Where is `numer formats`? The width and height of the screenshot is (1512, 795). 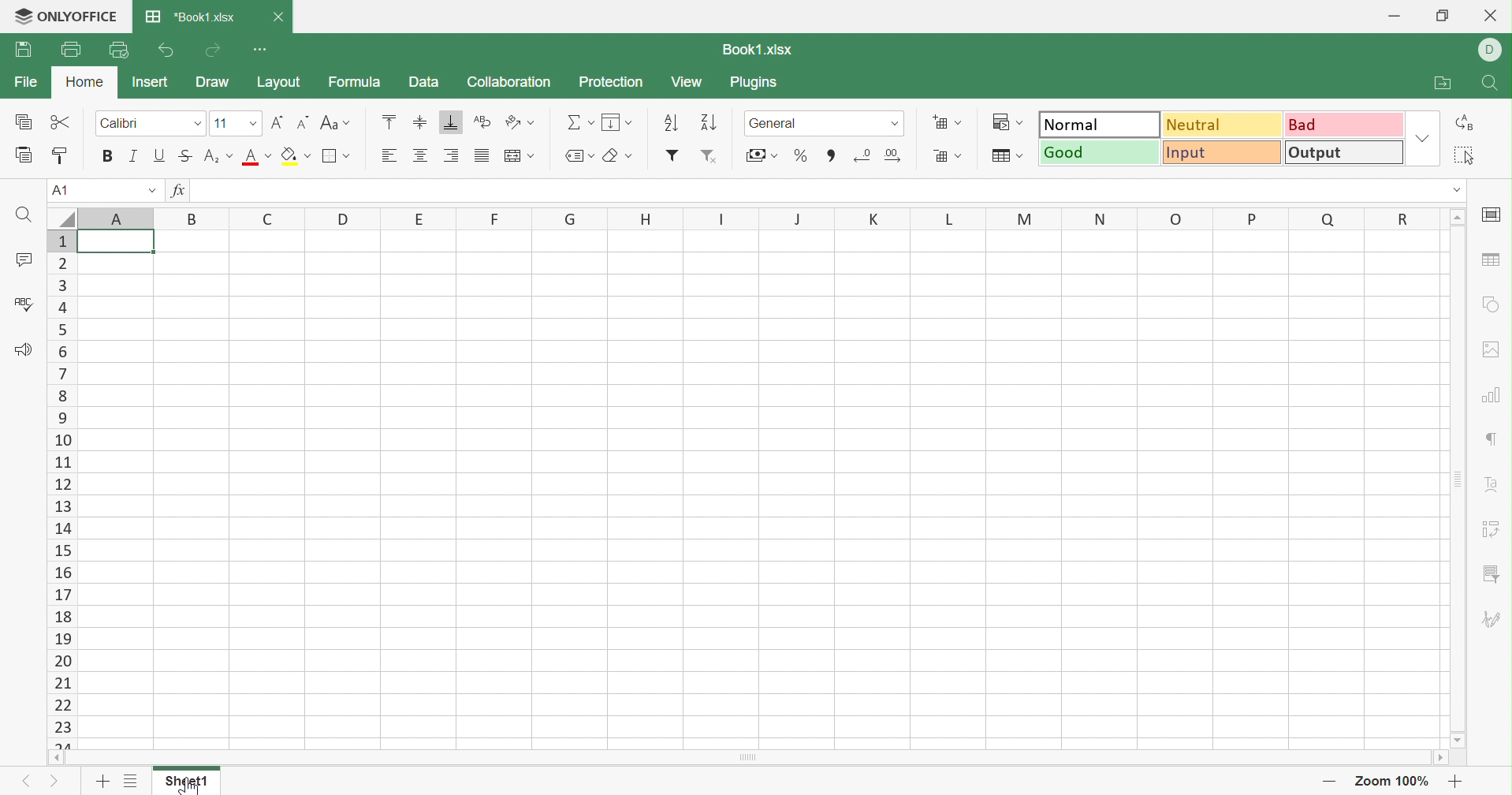 numer formats is located at coordinates (889, 124).